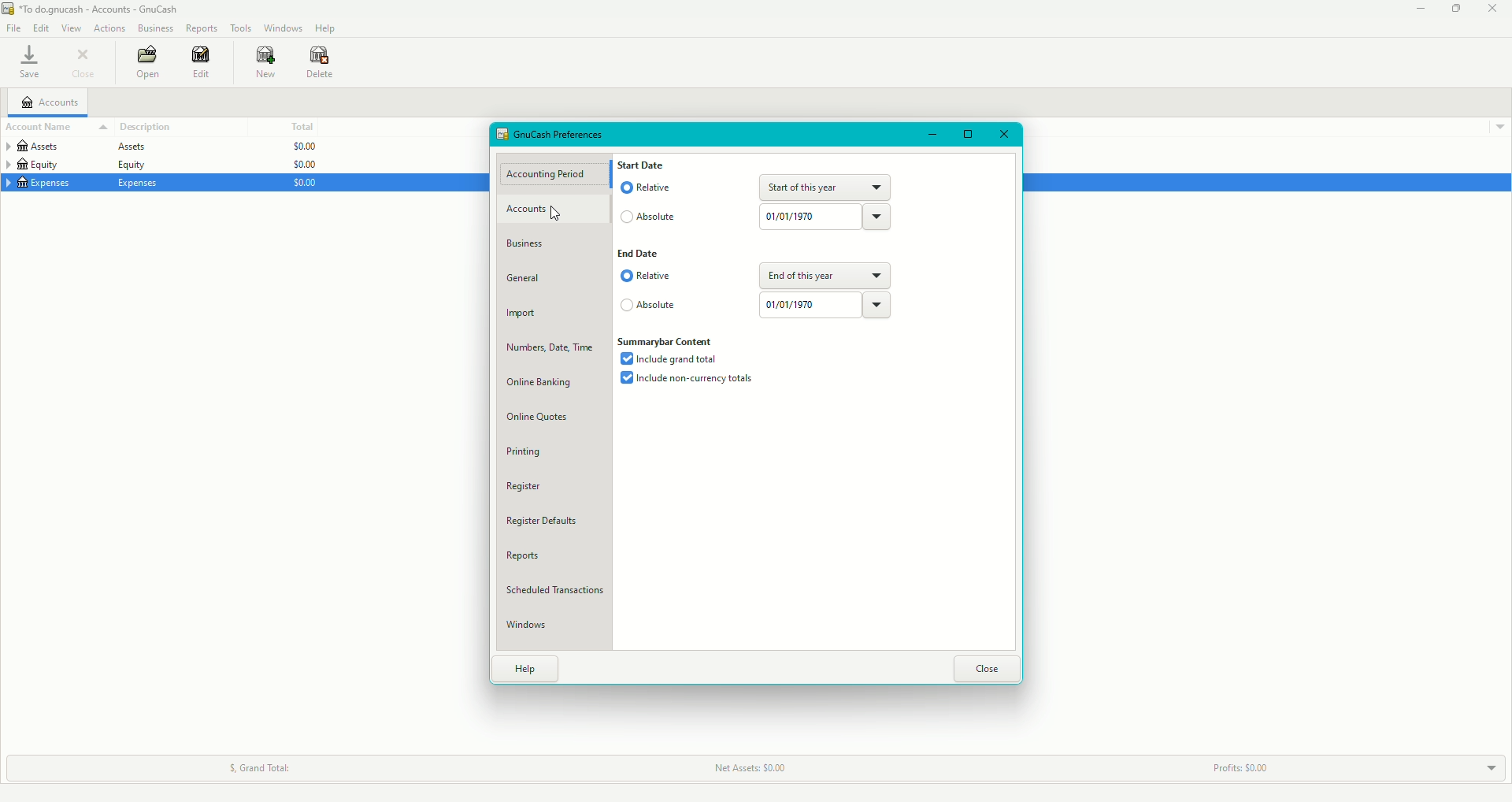 This screenshot has width=1512, height=802. What do you see at coordinates (526, 278) in the screenshot?
I see `General` at bounding box center [526, 278].